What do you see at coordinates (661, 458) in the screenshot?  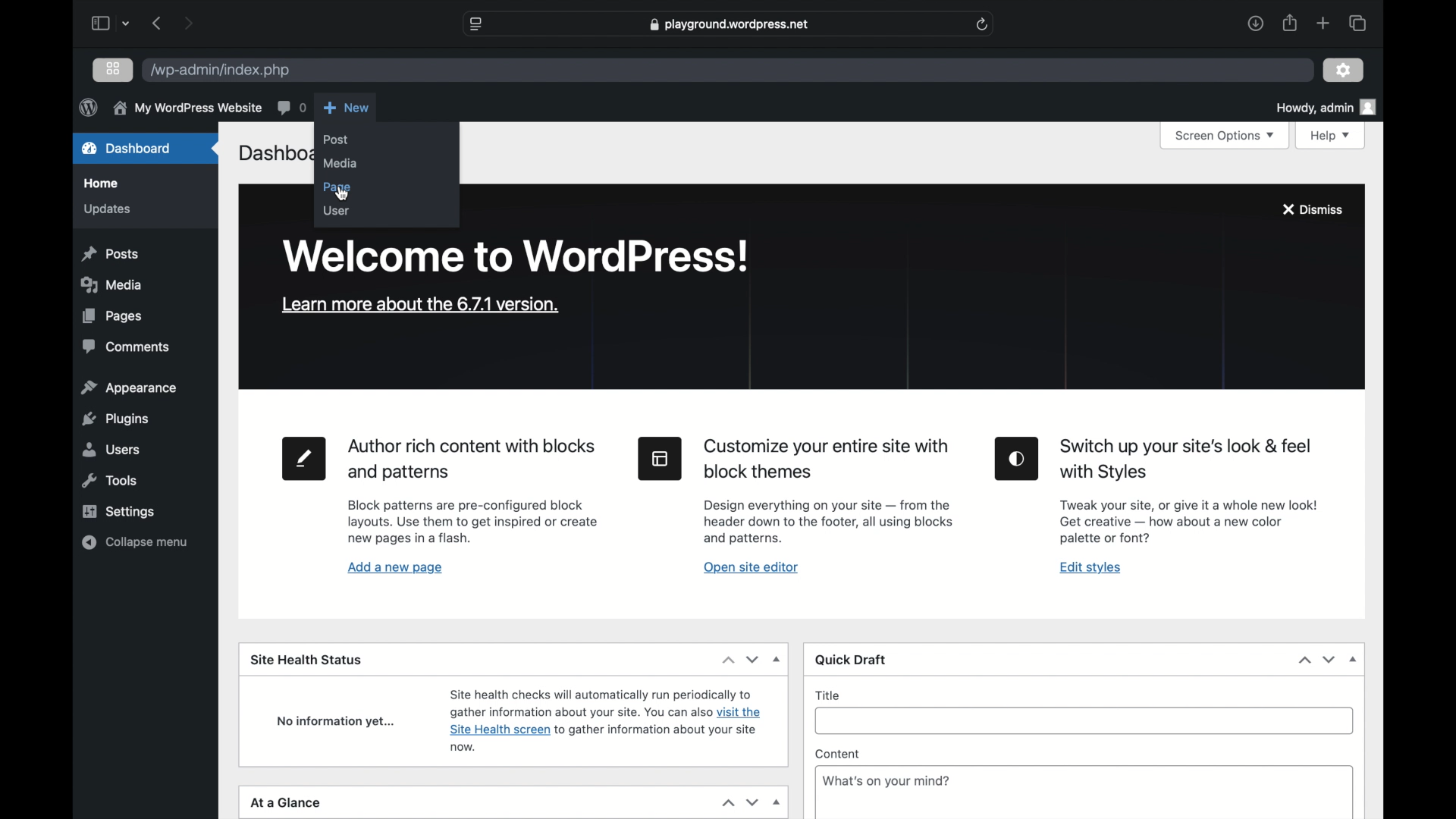 I see `site editor` at bounding box center [661, 458].